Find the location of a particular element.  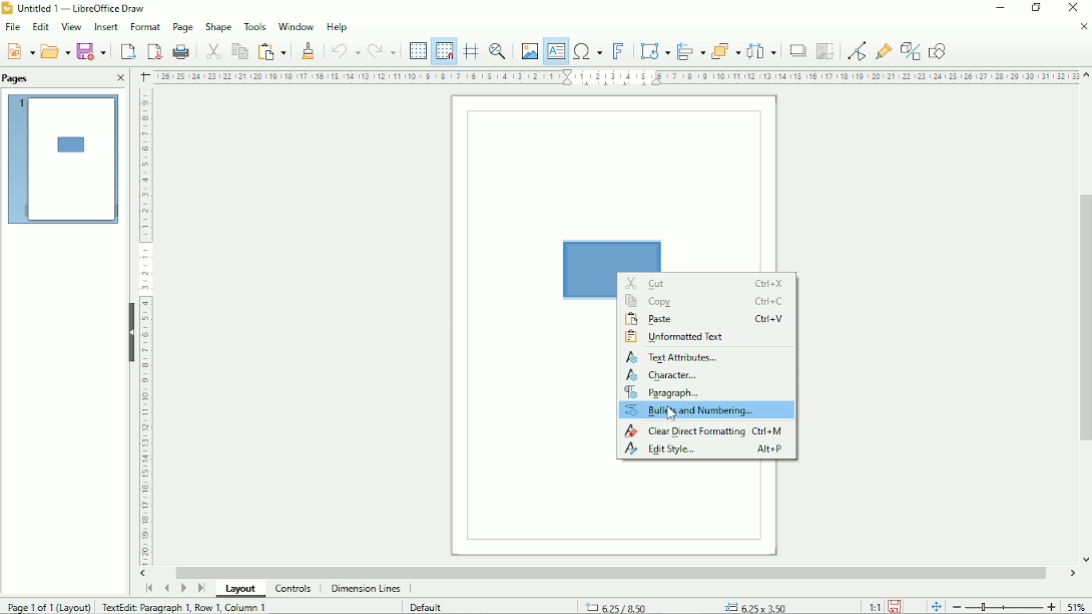

Close is located at coordinates (121, 78).